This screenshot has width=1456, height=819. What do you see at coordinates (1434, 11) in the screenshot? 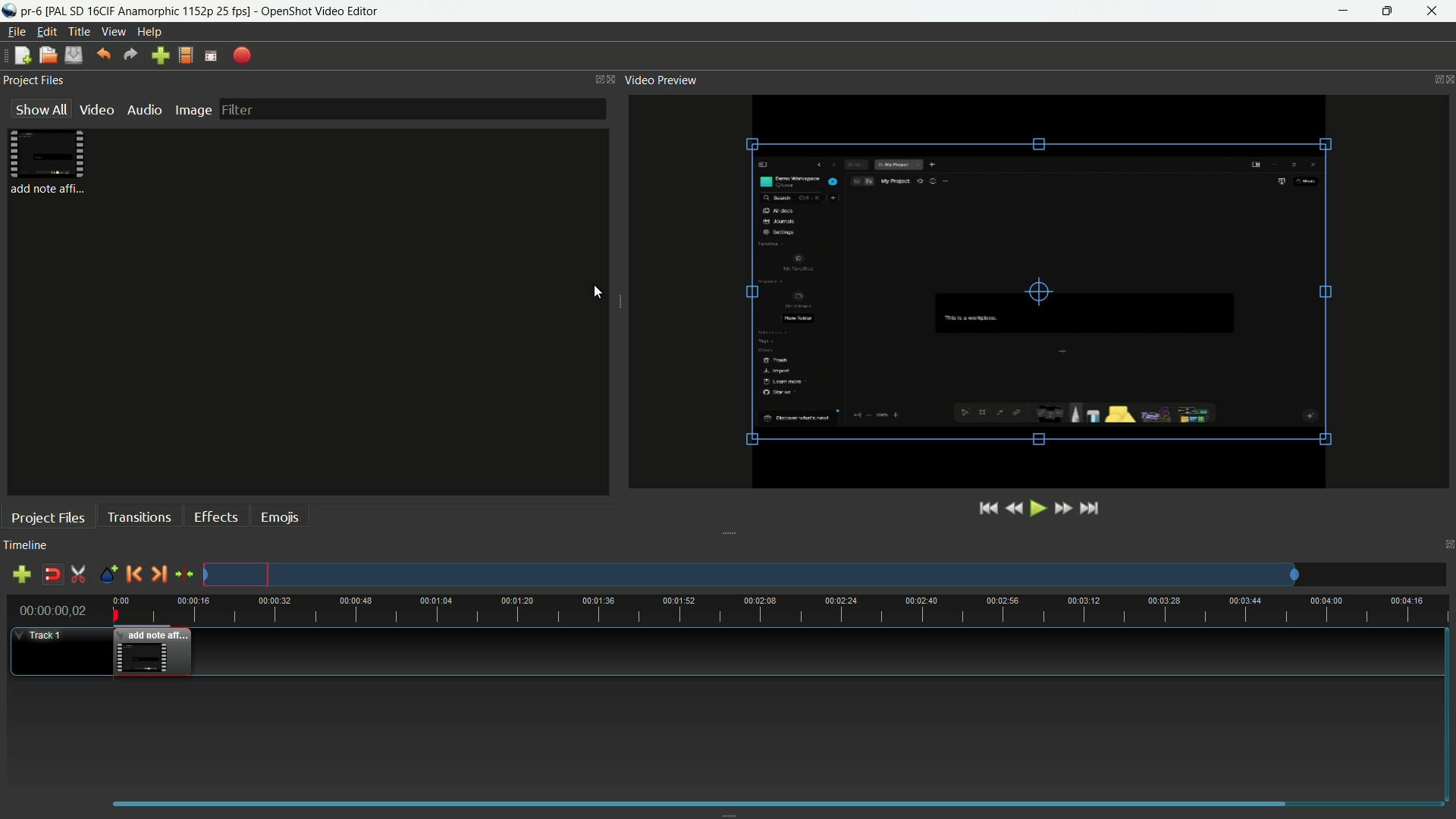
I see `close app` at bounding box center [1434, 11].